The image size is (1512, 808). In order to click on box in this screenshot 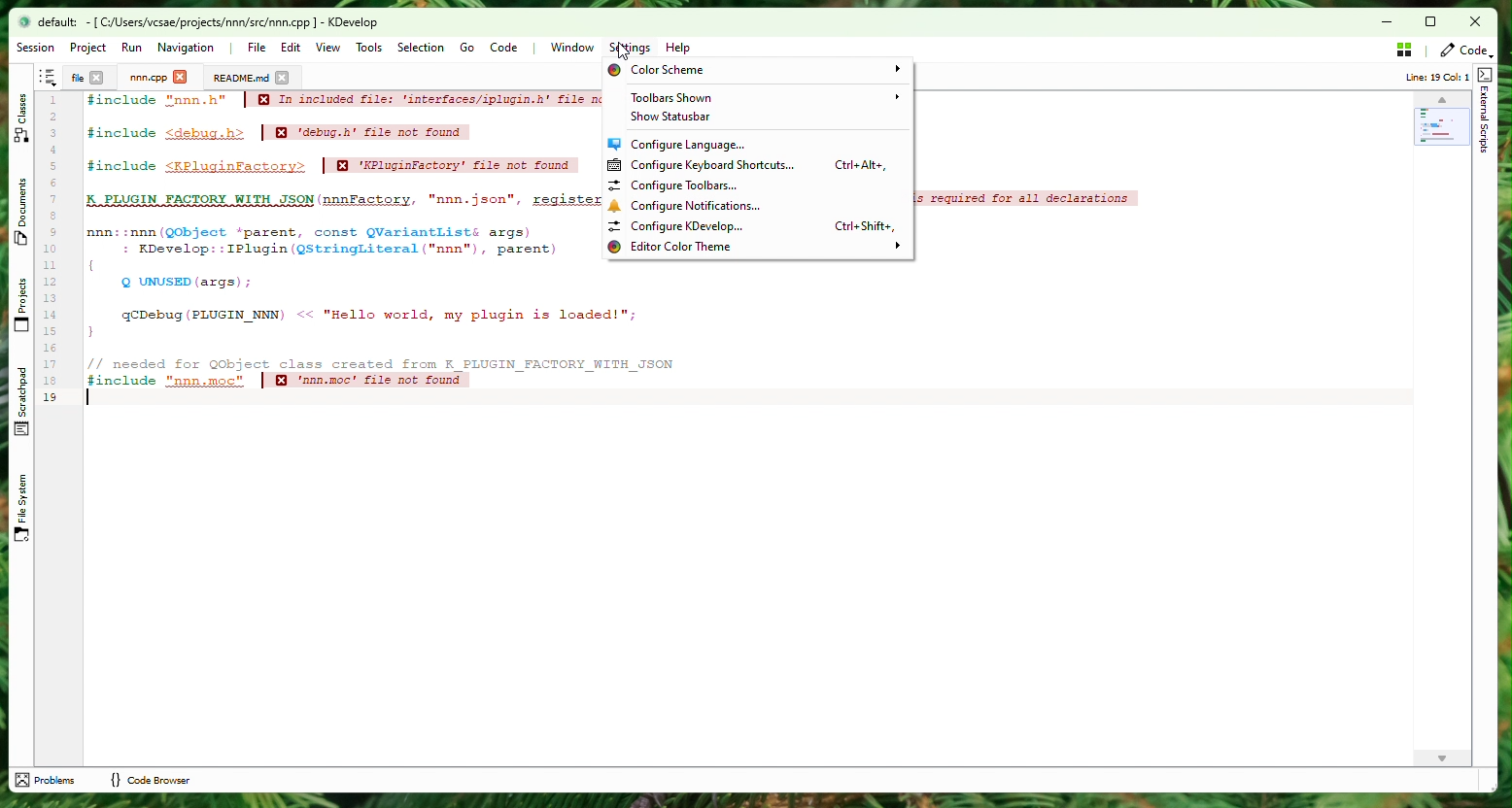, I will do `click(1429, 23)`.